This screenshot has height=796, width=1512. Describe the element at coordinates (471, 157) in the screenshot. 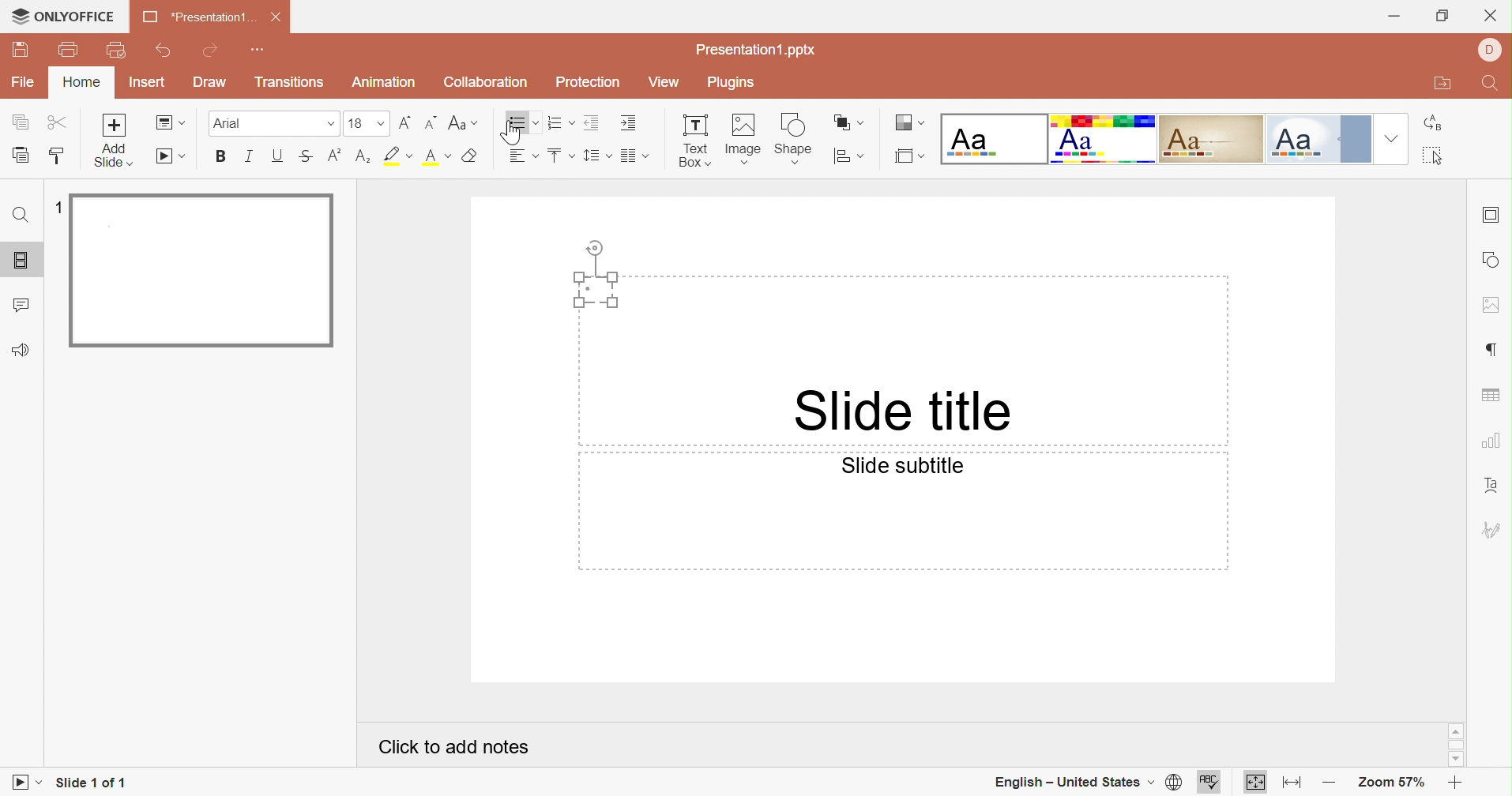

I see `Clear` at that location.